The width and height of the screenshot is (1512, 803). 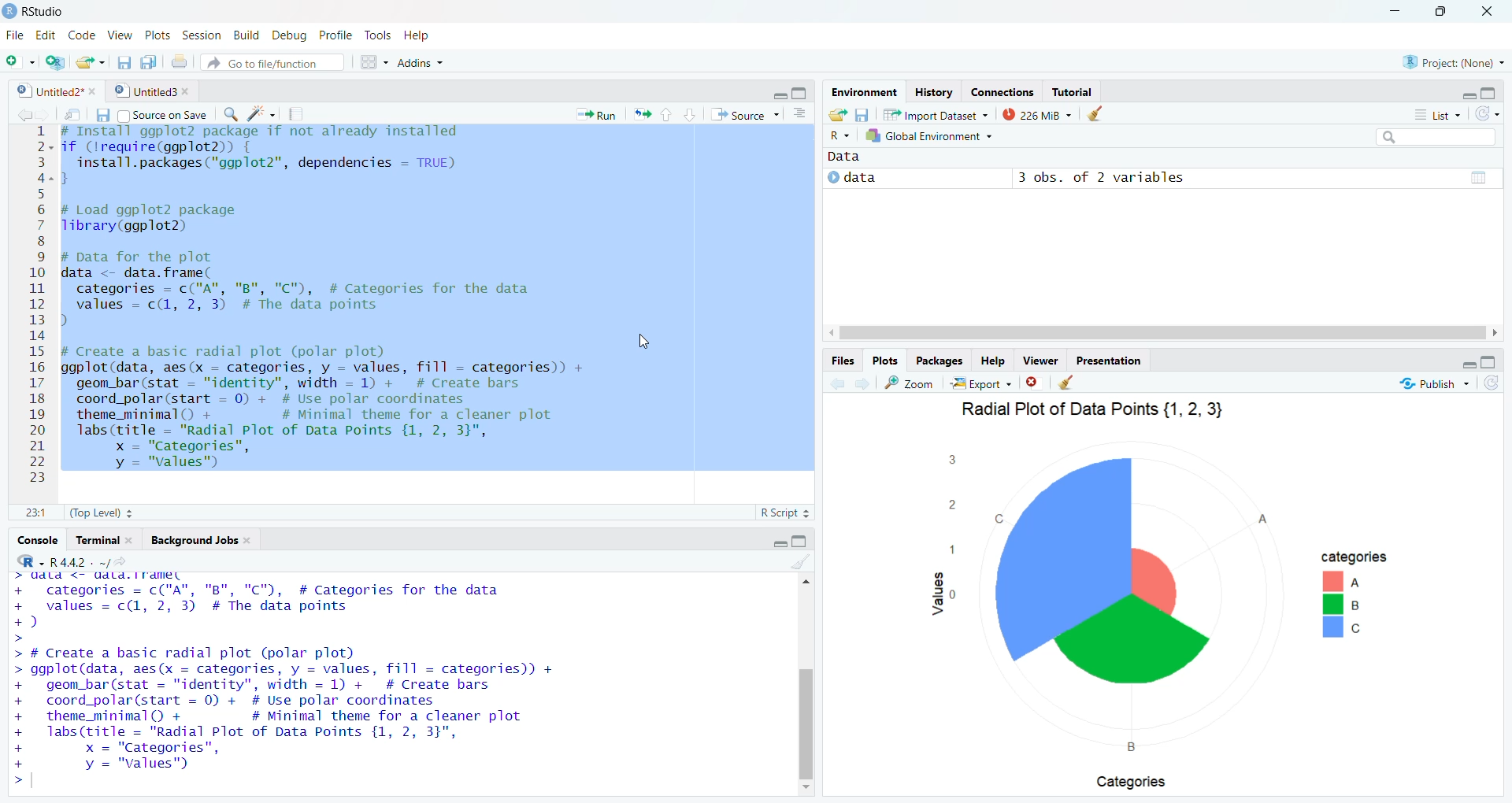 I want to click on Connections, so click(x=1004, y=91).